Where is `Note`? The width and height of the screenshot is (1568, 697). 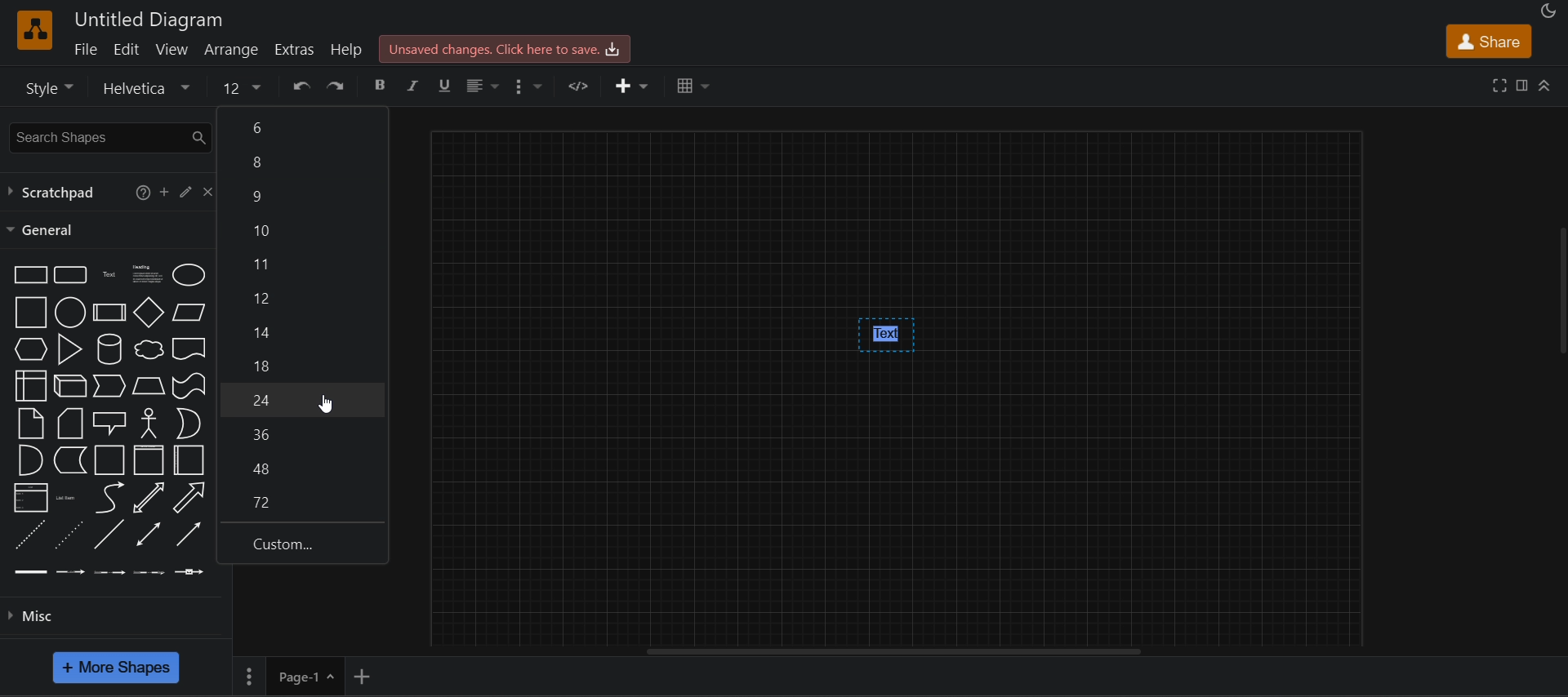
Note is located at coordinates (30, 424).